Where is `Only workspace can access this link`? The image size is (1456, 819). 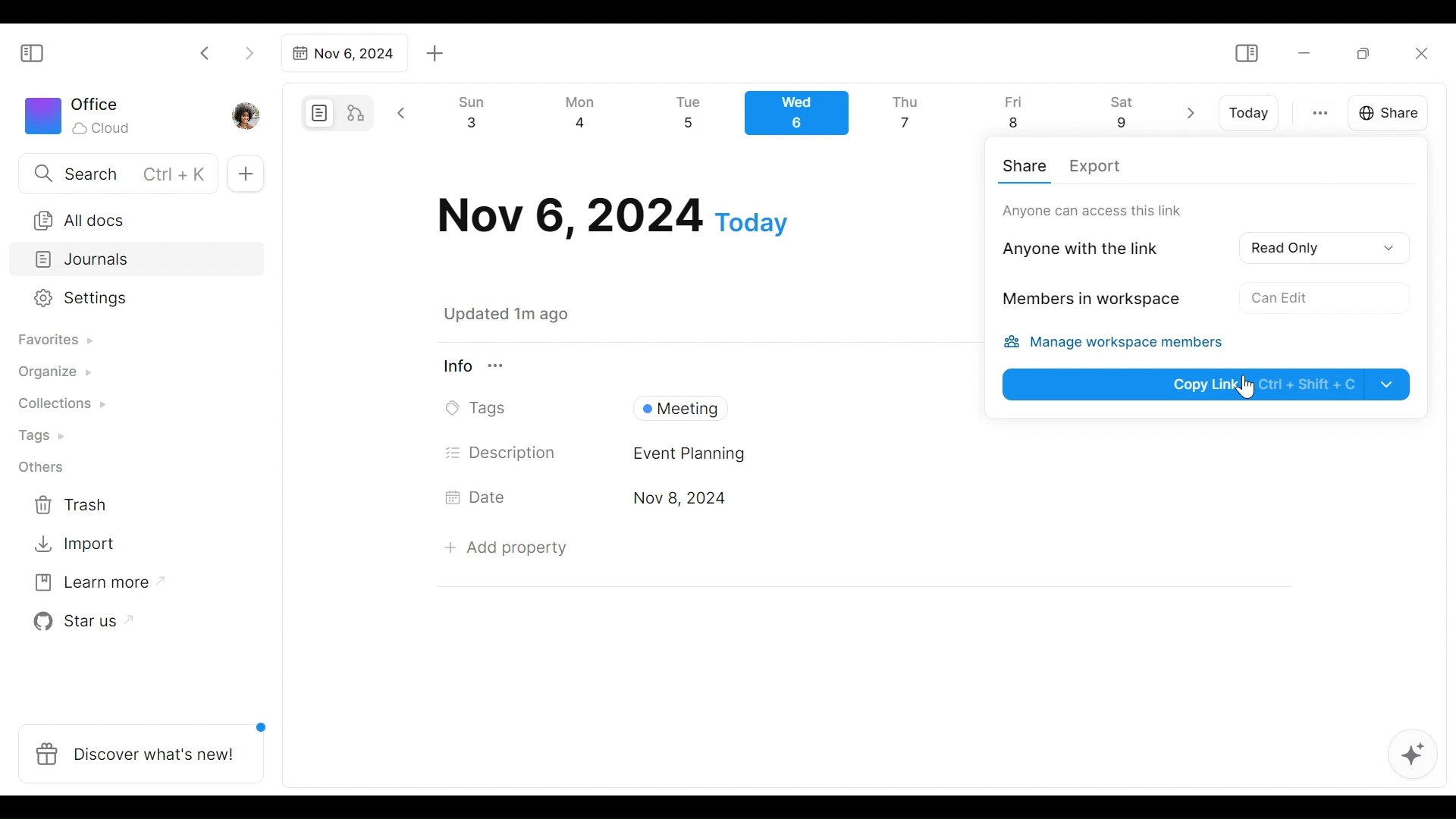 Only workspace can access this link is located at coordinates (1152, 210).